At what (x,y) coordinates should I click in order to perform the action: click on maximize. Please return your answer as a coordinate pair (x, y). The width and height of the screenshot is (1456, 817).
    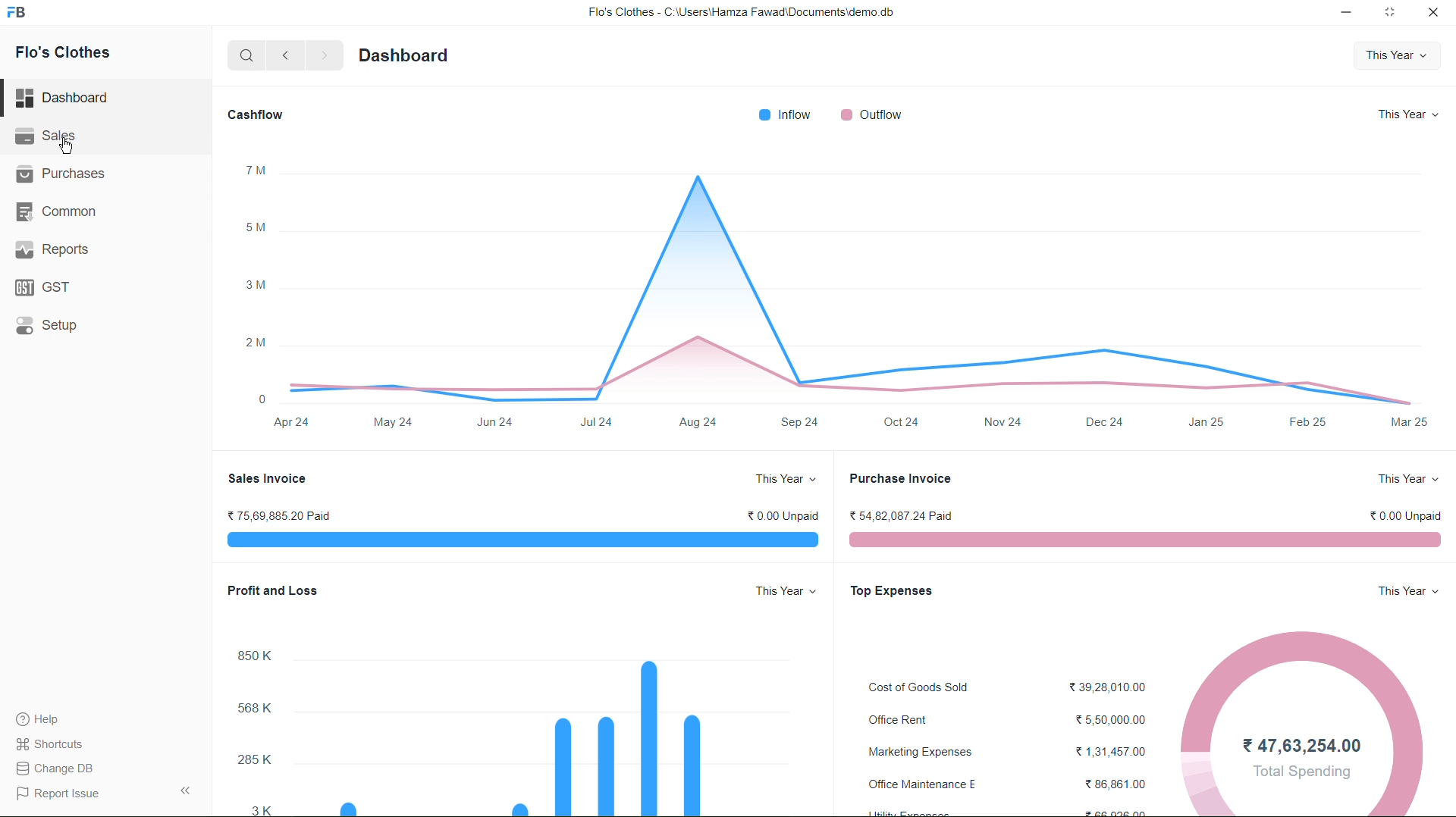
    Looking at the image, I should click on (1392, 14).